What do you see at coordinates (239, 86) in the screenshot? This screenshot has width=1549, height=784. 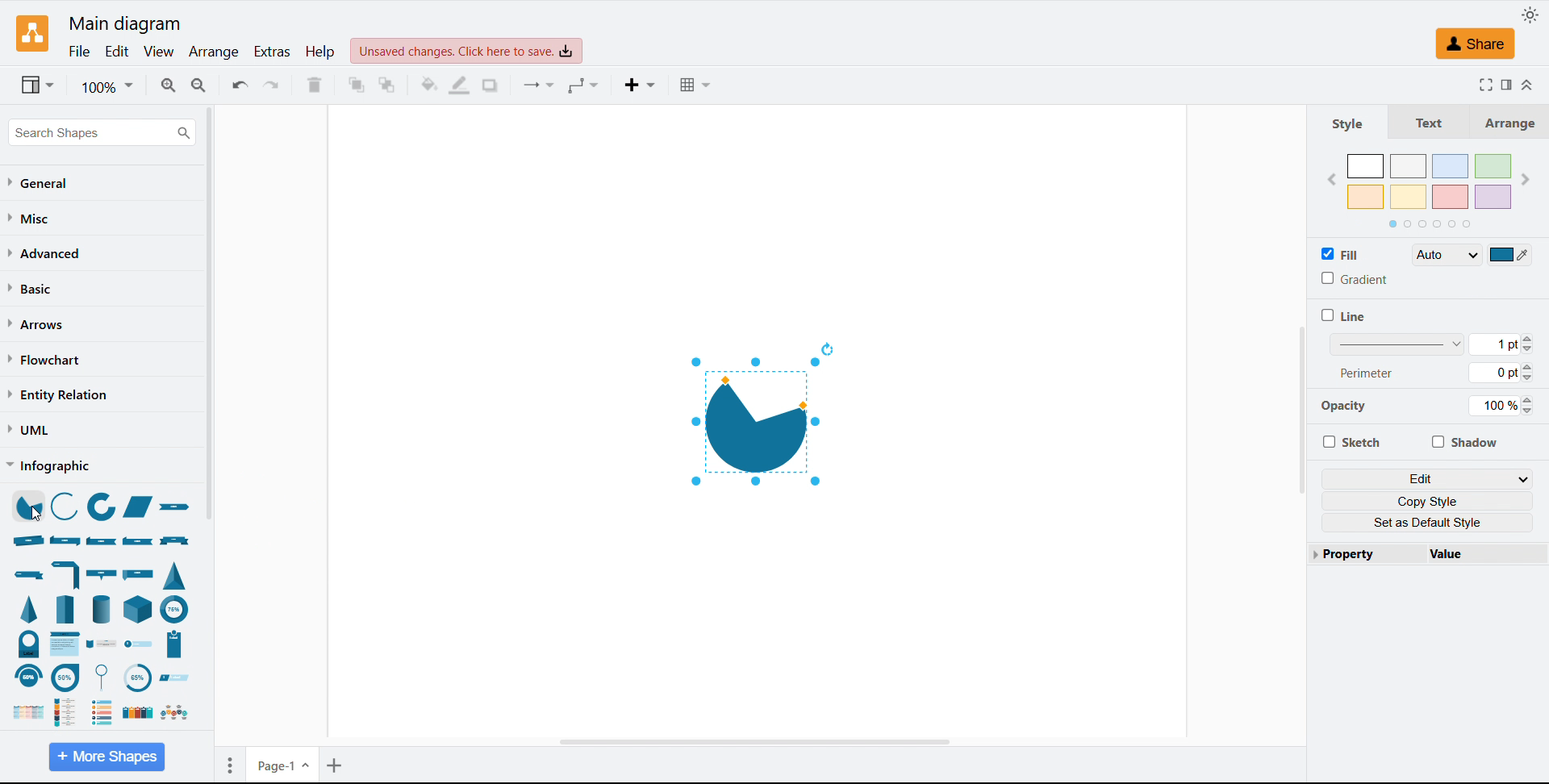 I see `Undo ` at bounding box center [239, 86].